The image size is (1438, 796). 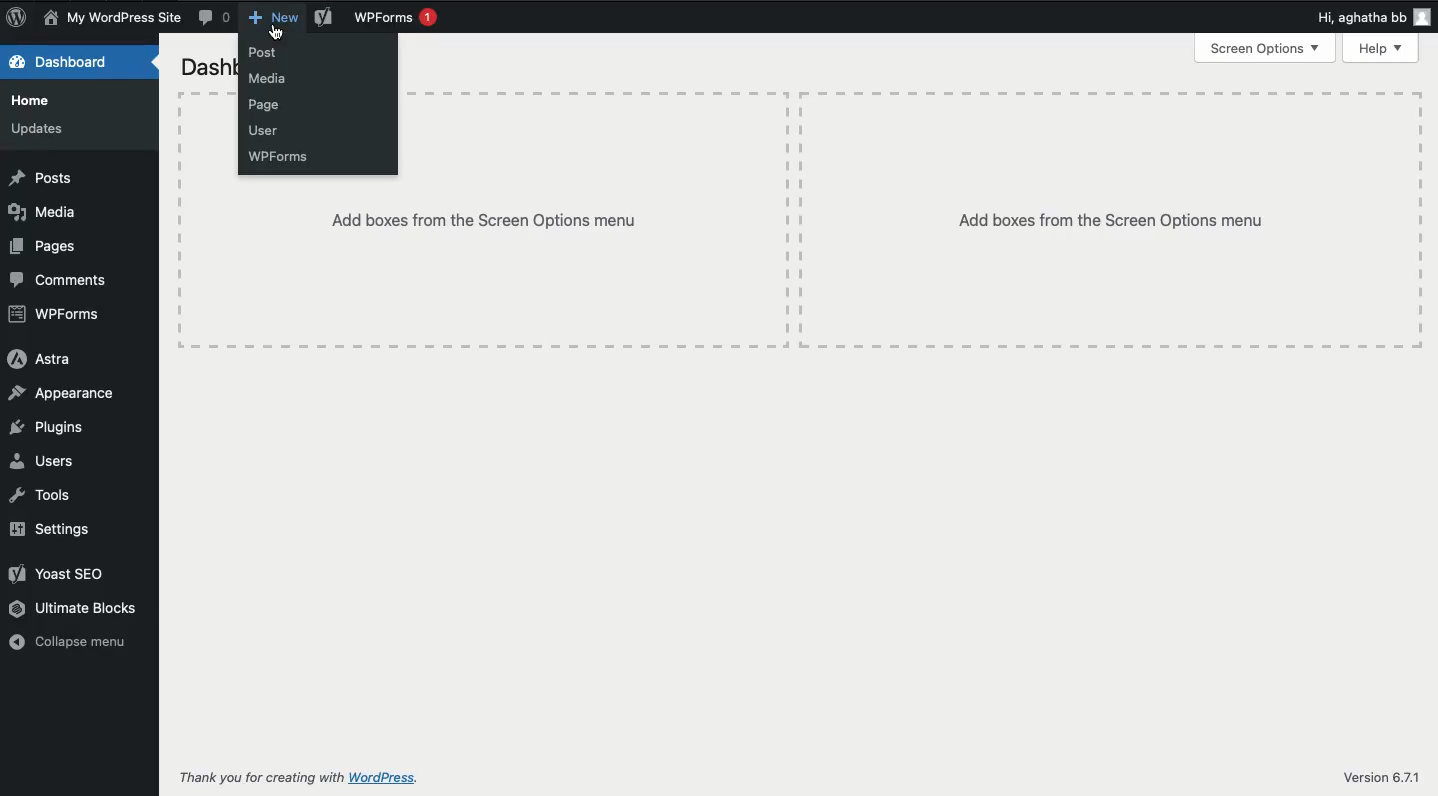 What do you see at coordinates (1110, 220) in the screenshot?
I see `Add boxes from the screen options menu` at bounding box center [1110, 220].